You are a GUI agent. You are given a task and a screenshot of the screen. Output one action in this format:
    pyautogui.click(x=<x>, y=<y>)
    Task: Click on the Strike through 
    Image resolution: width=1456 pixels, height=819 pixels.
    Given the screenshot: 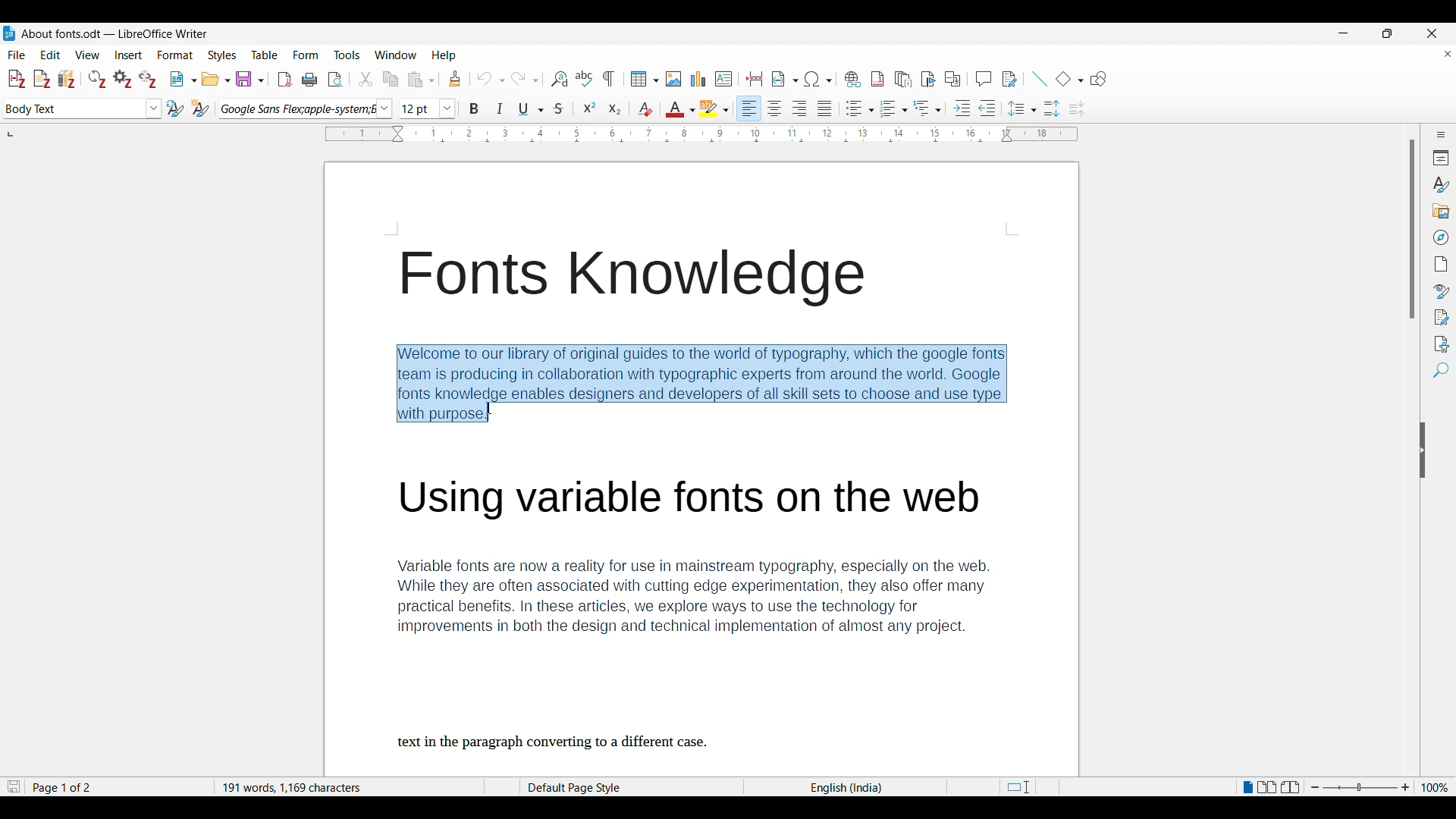 What is the action you would take?
    pyautogui.click(x=559, y=108)
    